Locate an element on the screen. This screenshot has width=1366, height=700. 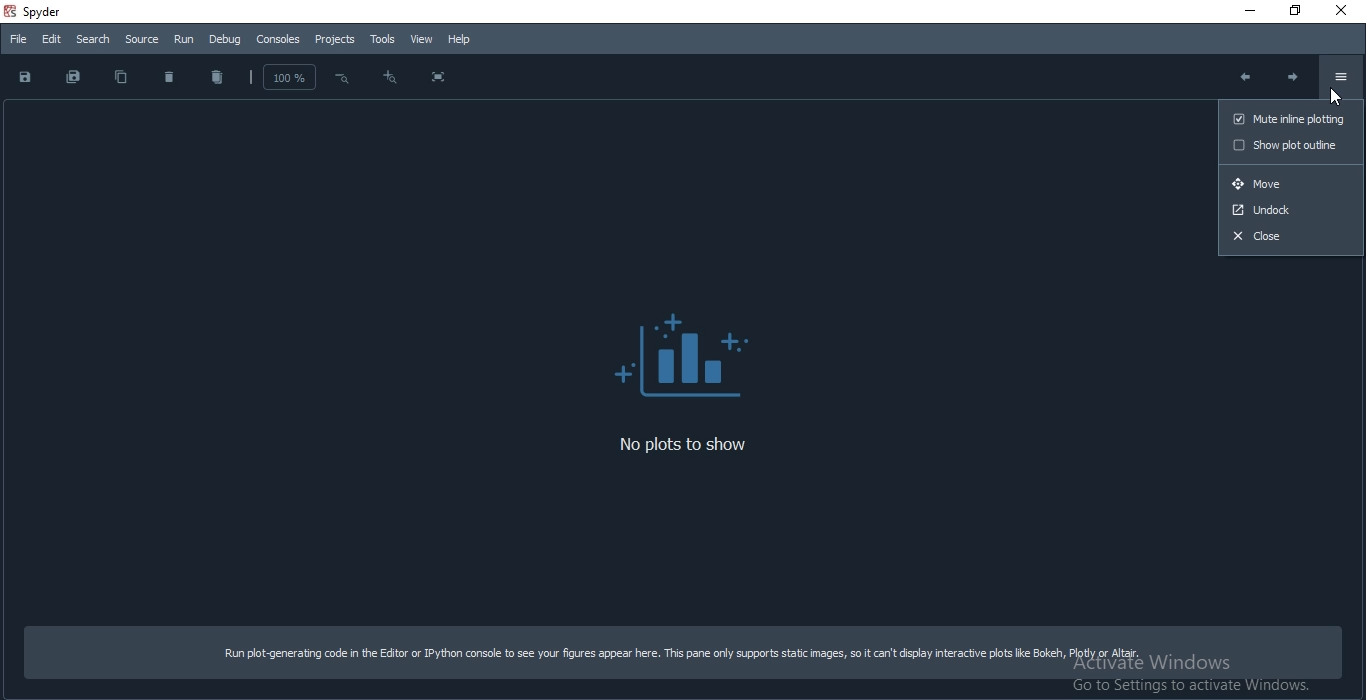
Help is located at coordinates (460, 39).